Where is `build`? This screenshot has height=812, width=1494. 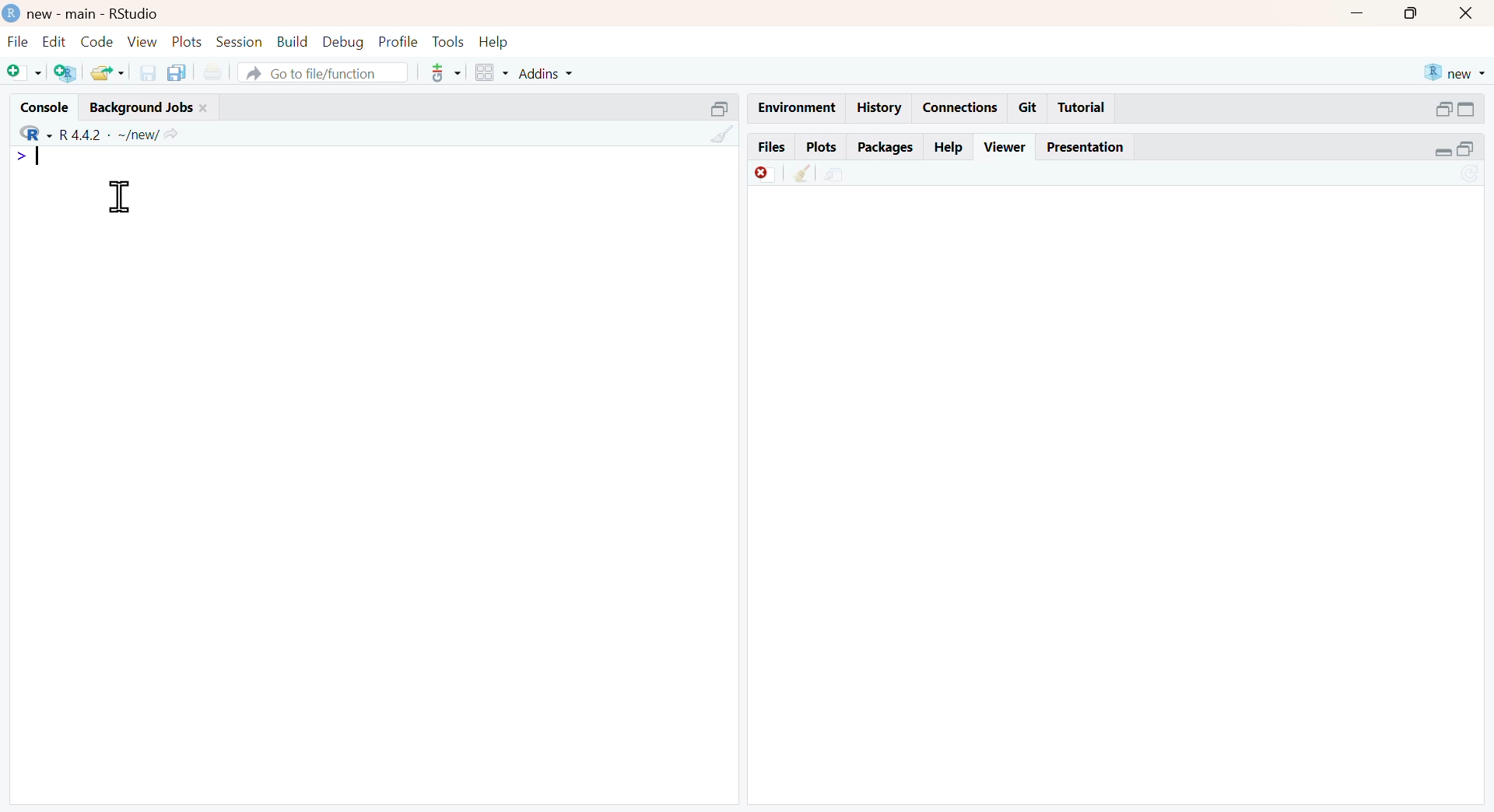 build is located at coordinates (293, 40).